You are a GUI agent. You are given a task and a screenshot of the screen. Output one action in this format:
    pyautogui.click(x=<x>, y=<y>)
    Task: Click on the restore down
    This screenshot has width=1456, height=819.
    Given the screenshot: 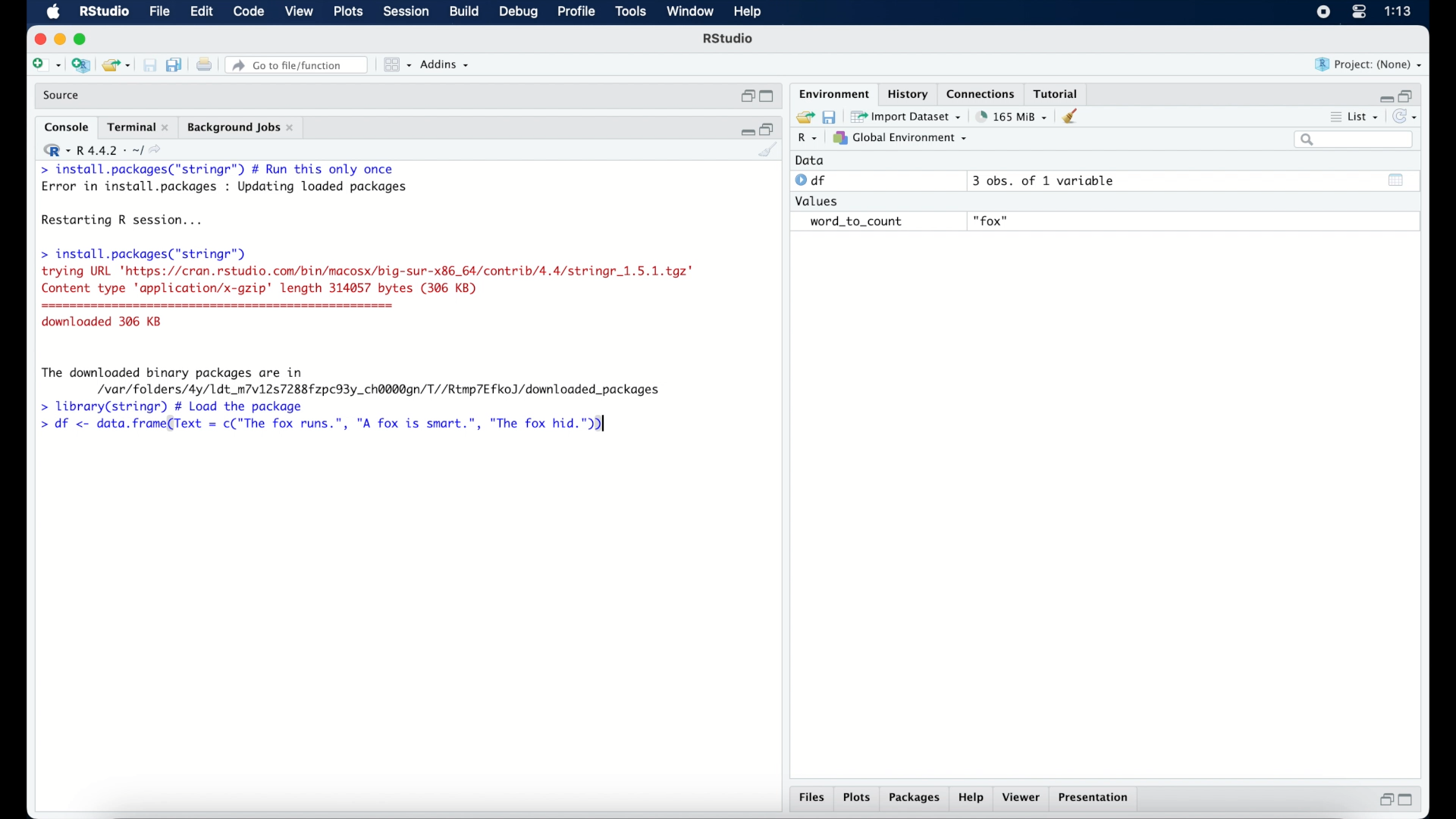 What is the action you would take?
    pyautogui.click(x=1407, y=95)
    